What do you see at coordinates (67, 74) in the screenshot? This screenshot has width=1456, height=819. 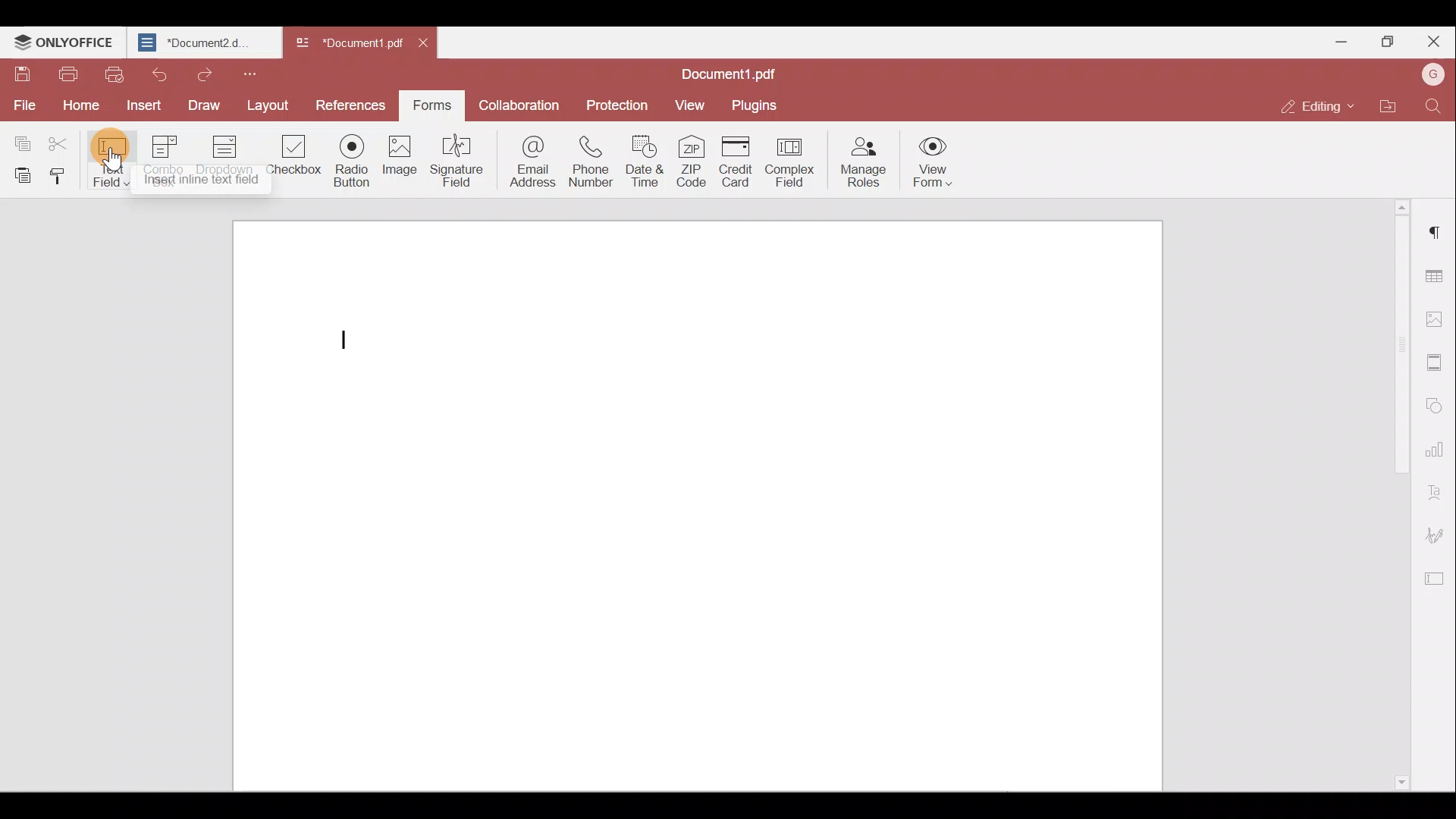 I see `Print file` at bounding box center [67, 74].